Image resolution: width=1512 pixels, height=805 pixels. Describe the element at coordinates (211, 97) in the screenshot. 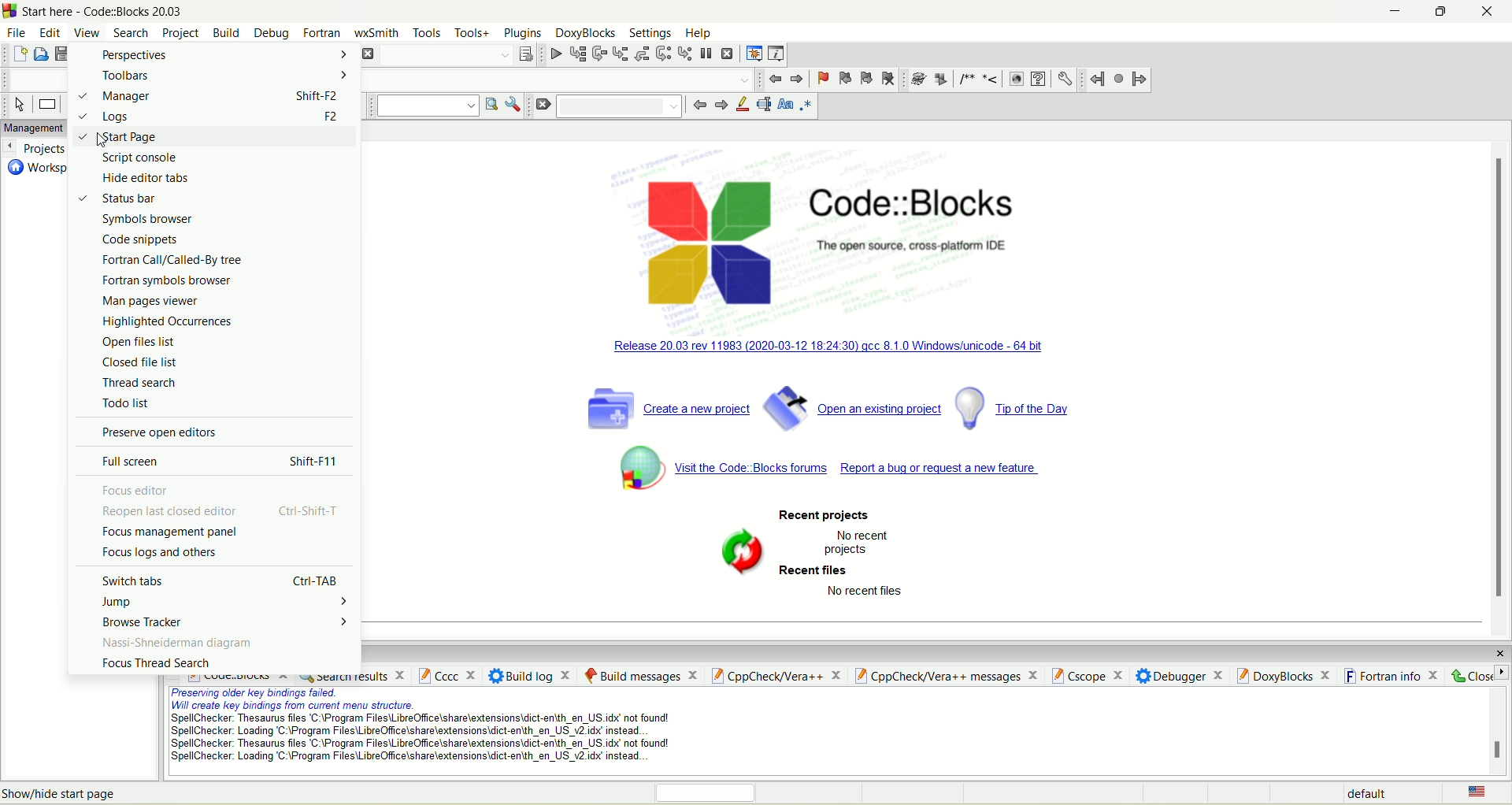

I see `manager` at that location.